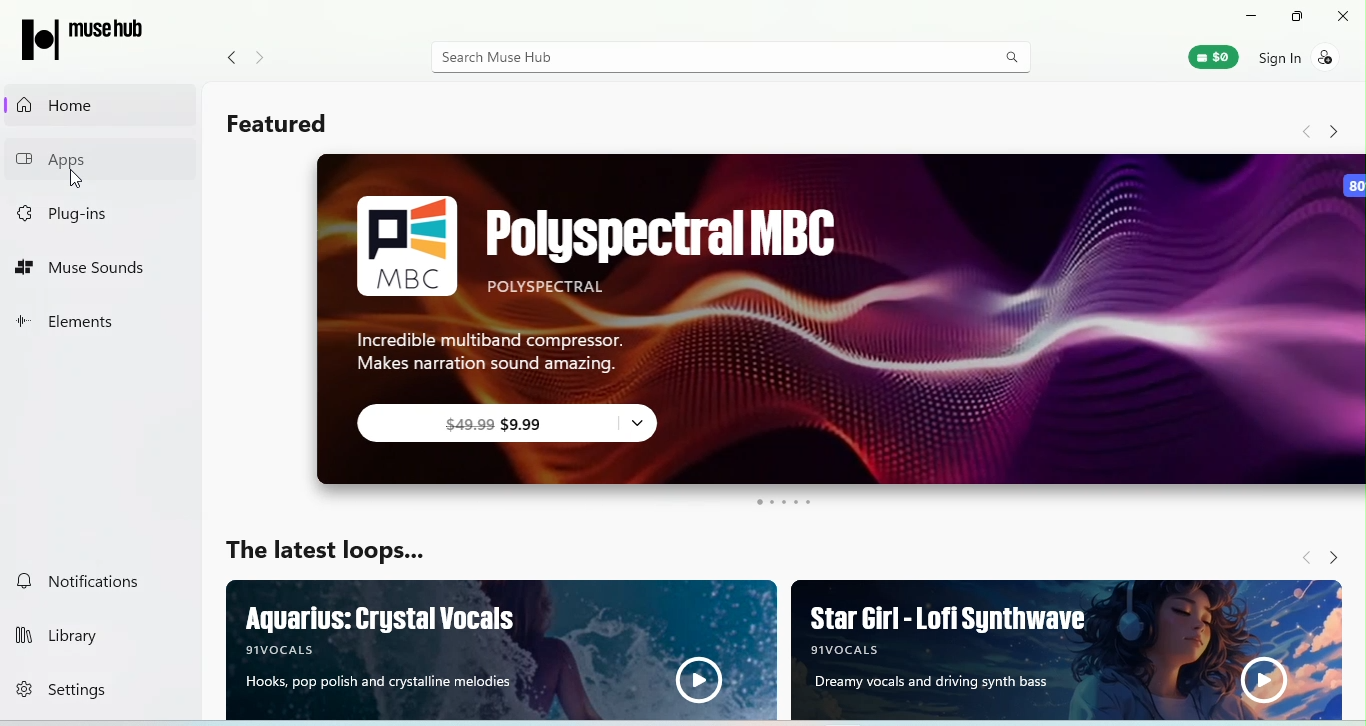  I want to click on Navigate forward, so click(262, 58).